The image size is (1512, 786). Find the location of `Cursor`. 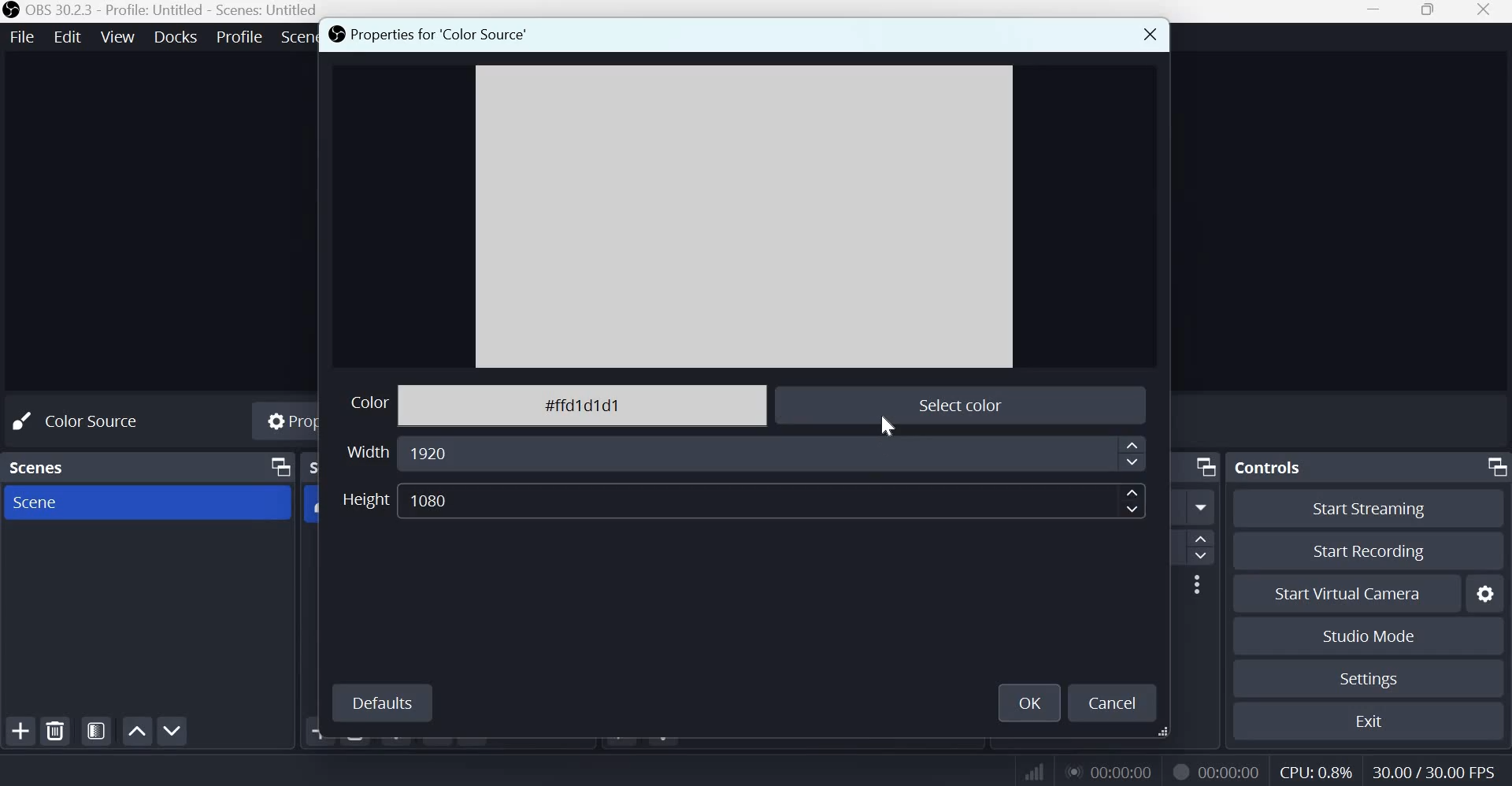

Cursor is located at coordinates (887, 423).